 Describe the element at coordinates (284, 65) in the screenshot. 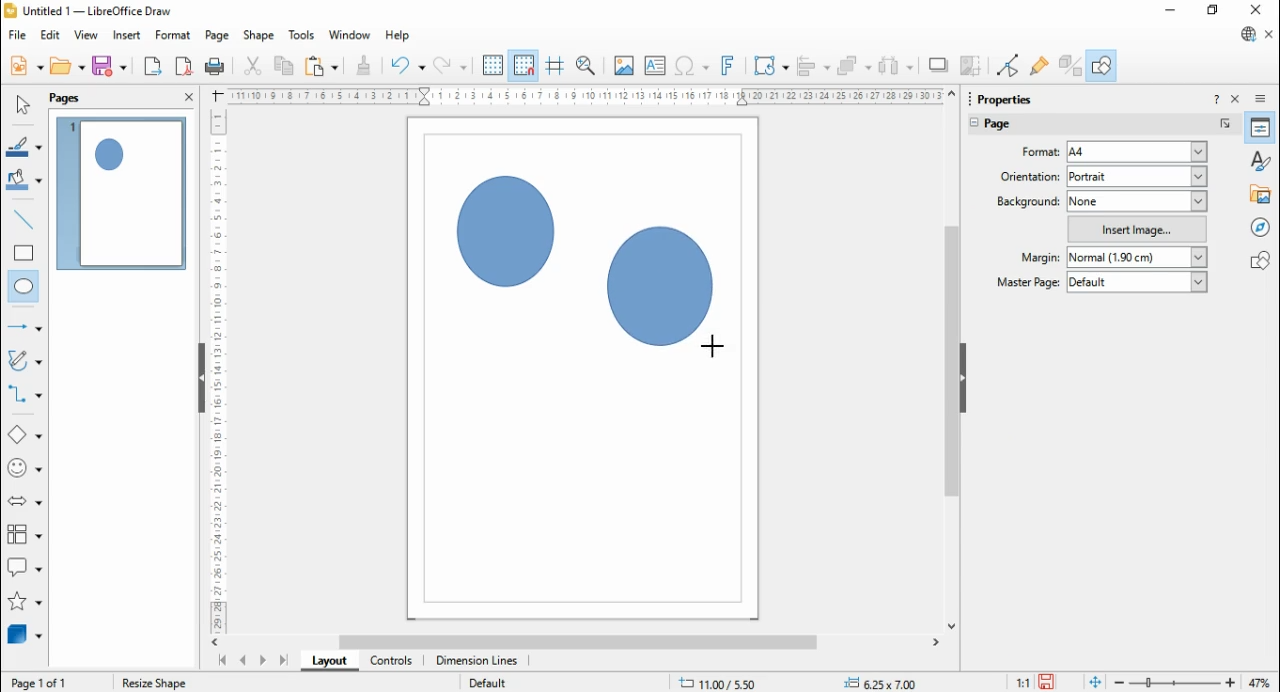

I see `copy` at that location.